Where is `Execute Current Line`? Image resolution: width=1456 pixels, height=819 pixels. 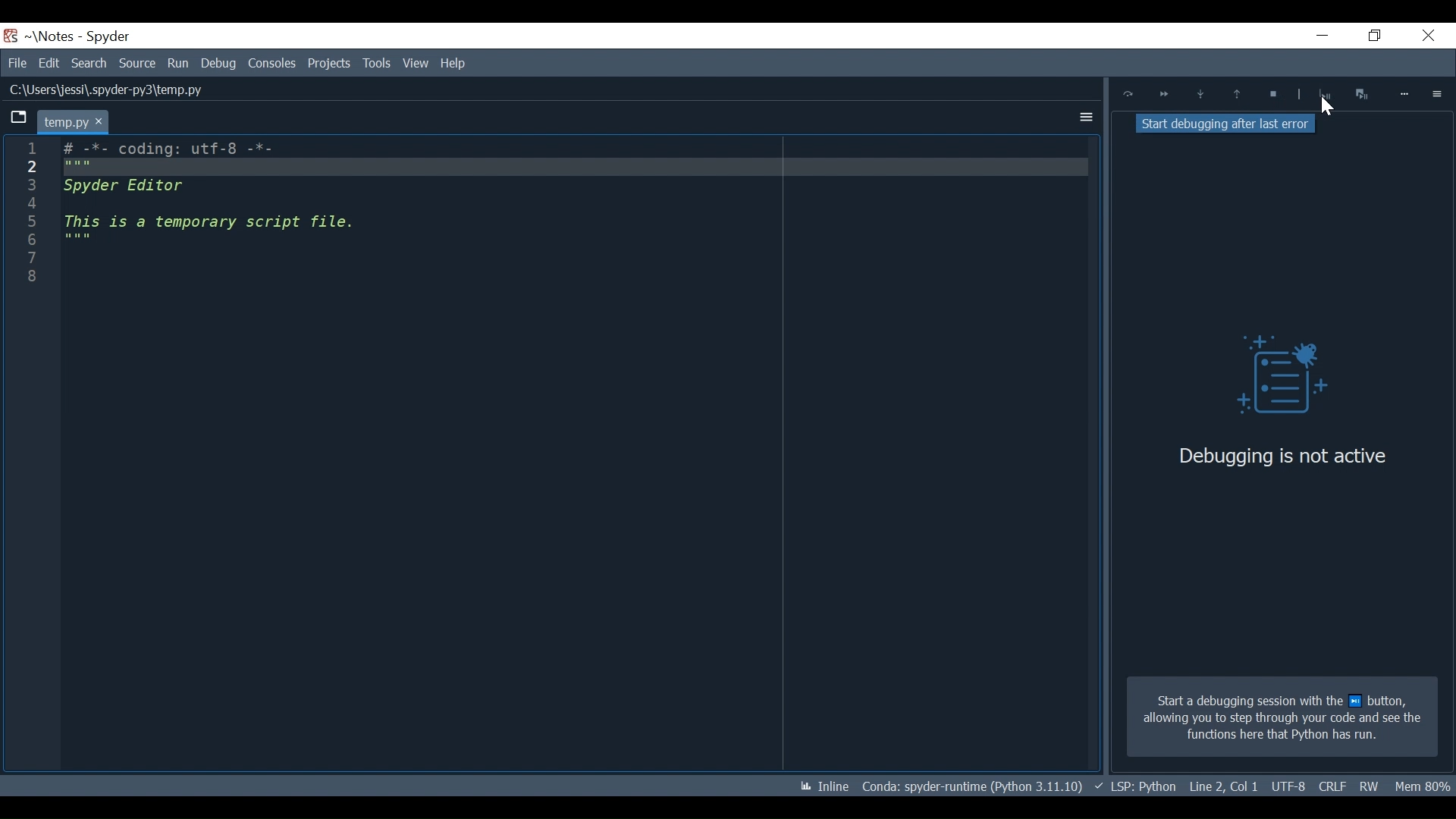
Execute Current Line is located at coordinates (1128, 94).